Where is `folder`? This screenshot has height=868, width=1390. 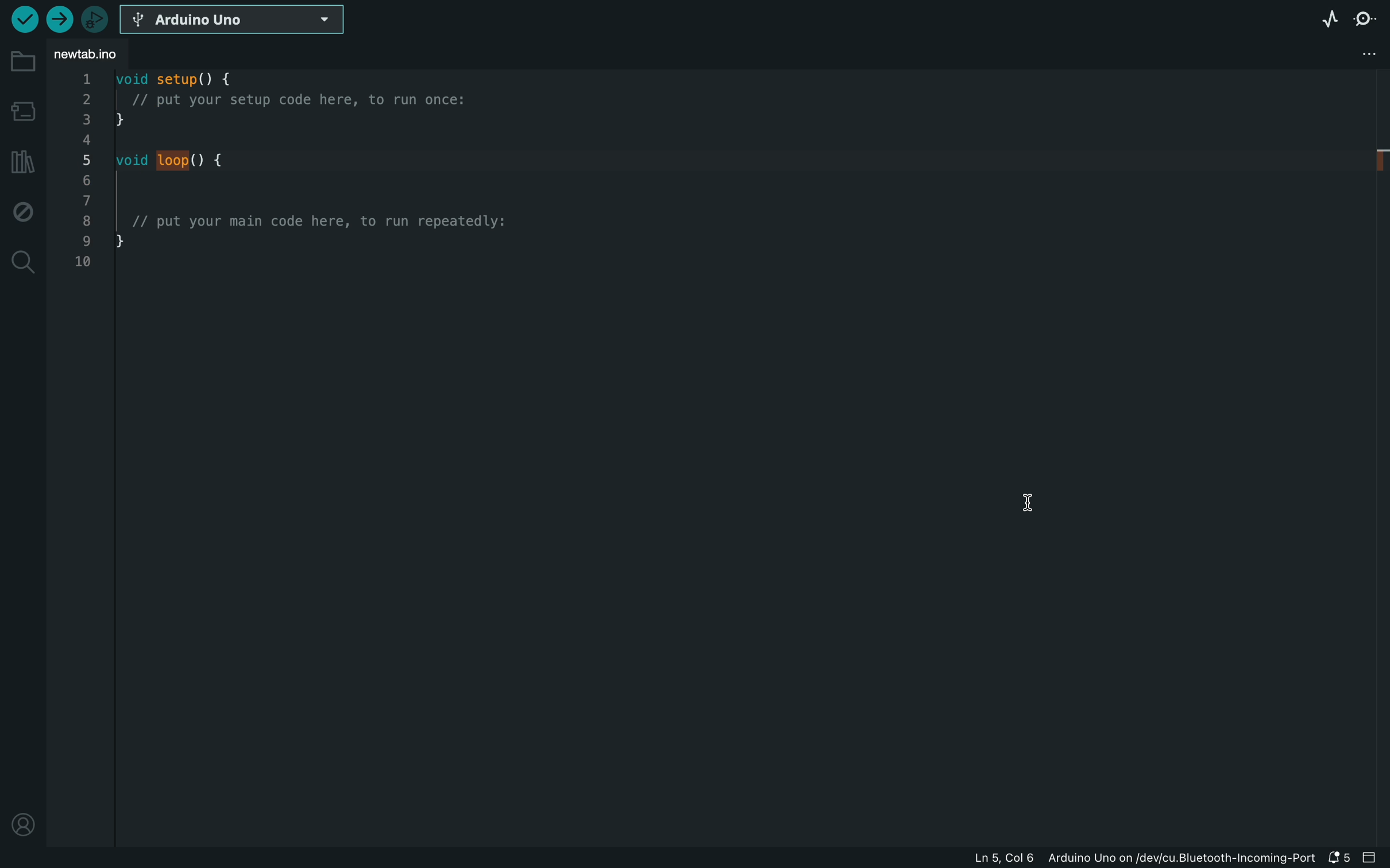
folder is located at coordinates (24, 62).